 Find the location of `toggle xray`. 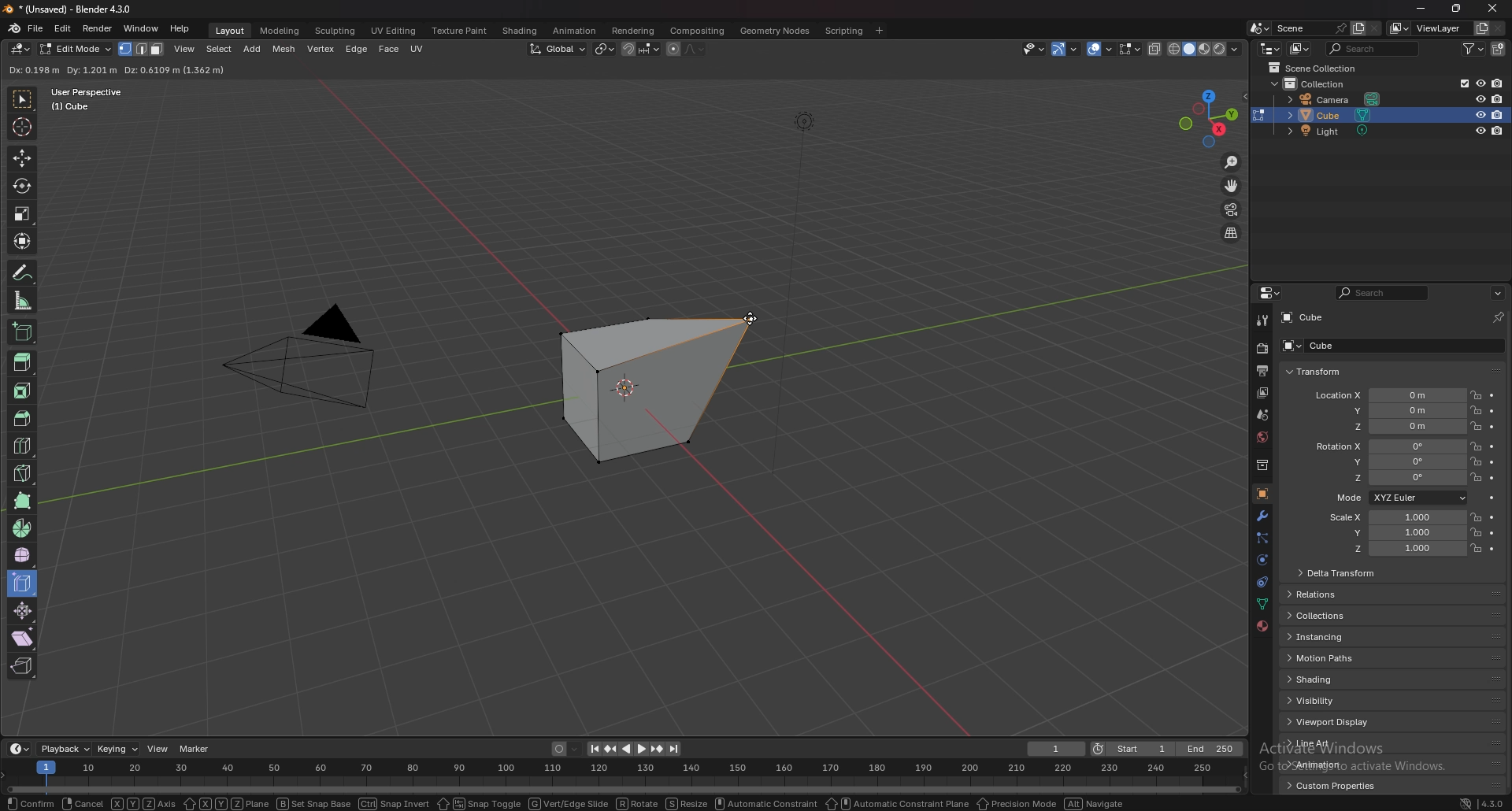

toggle xray is located at coordinates (1155, 49).